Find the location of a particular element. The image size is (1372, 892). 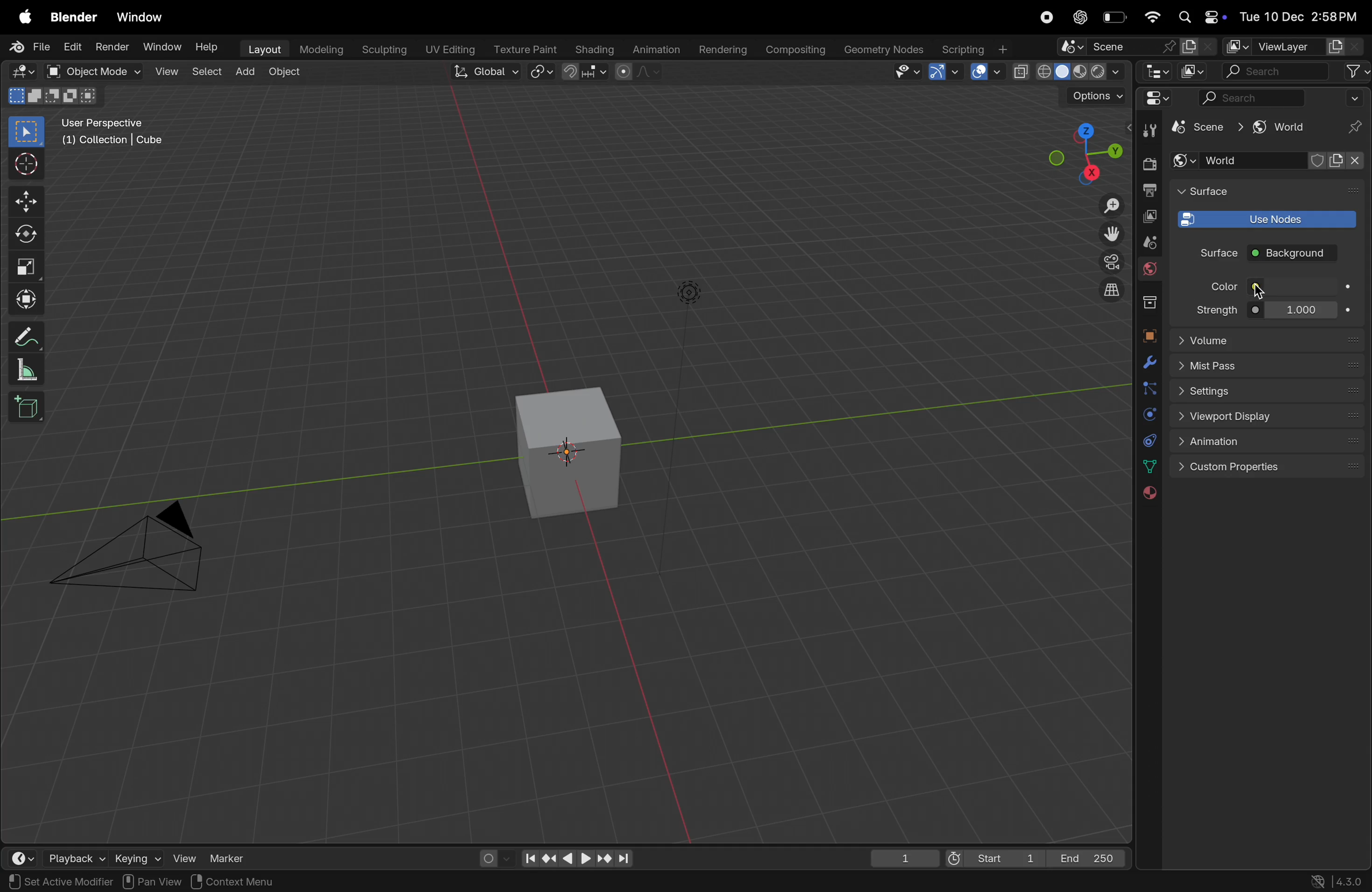

options is located at coordinates (1096, 96).